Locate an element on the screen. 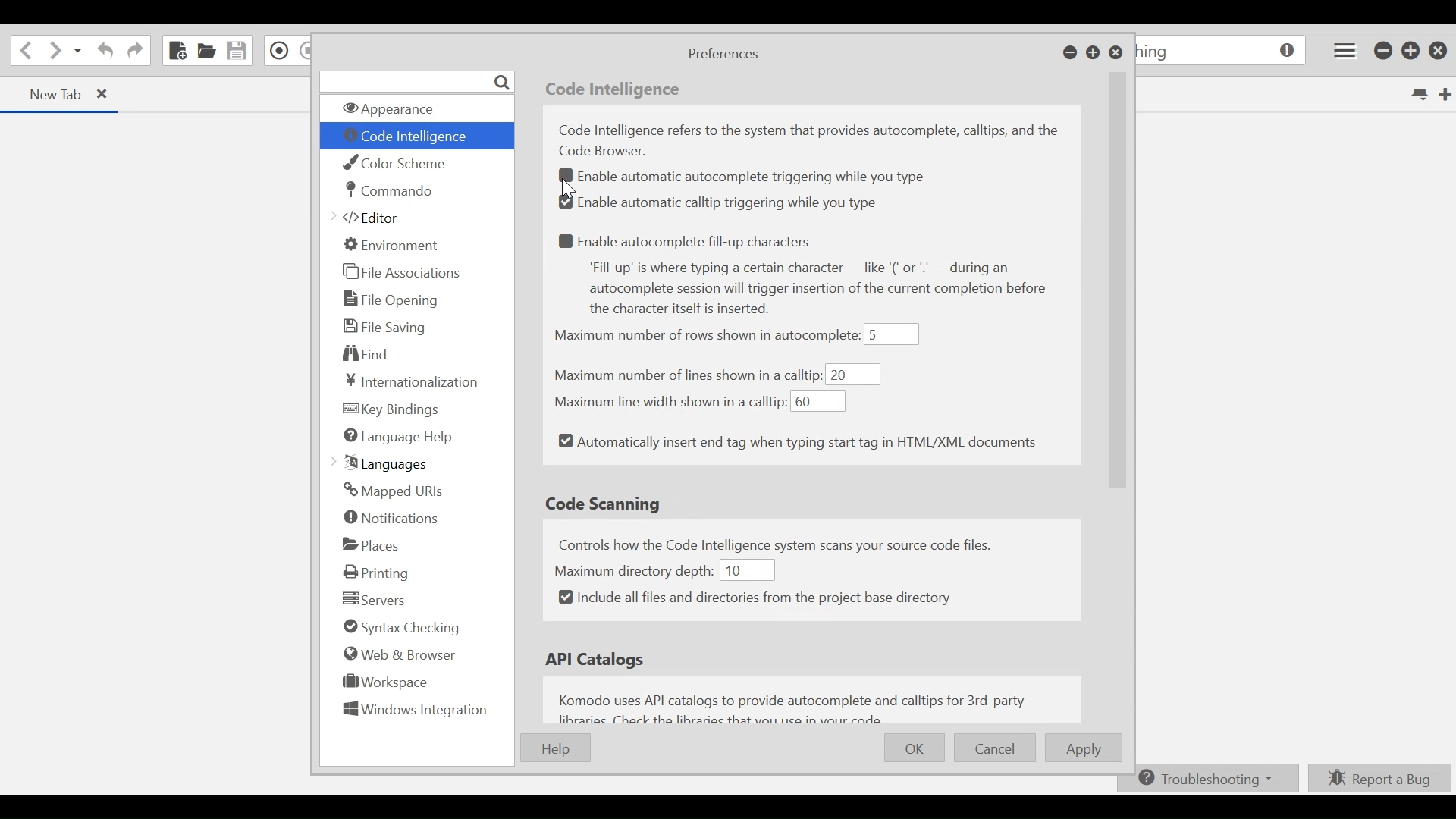 Image resolution: width=1456 pixels, height=819 pixels. Appearance is located at coordinates (413, 109).